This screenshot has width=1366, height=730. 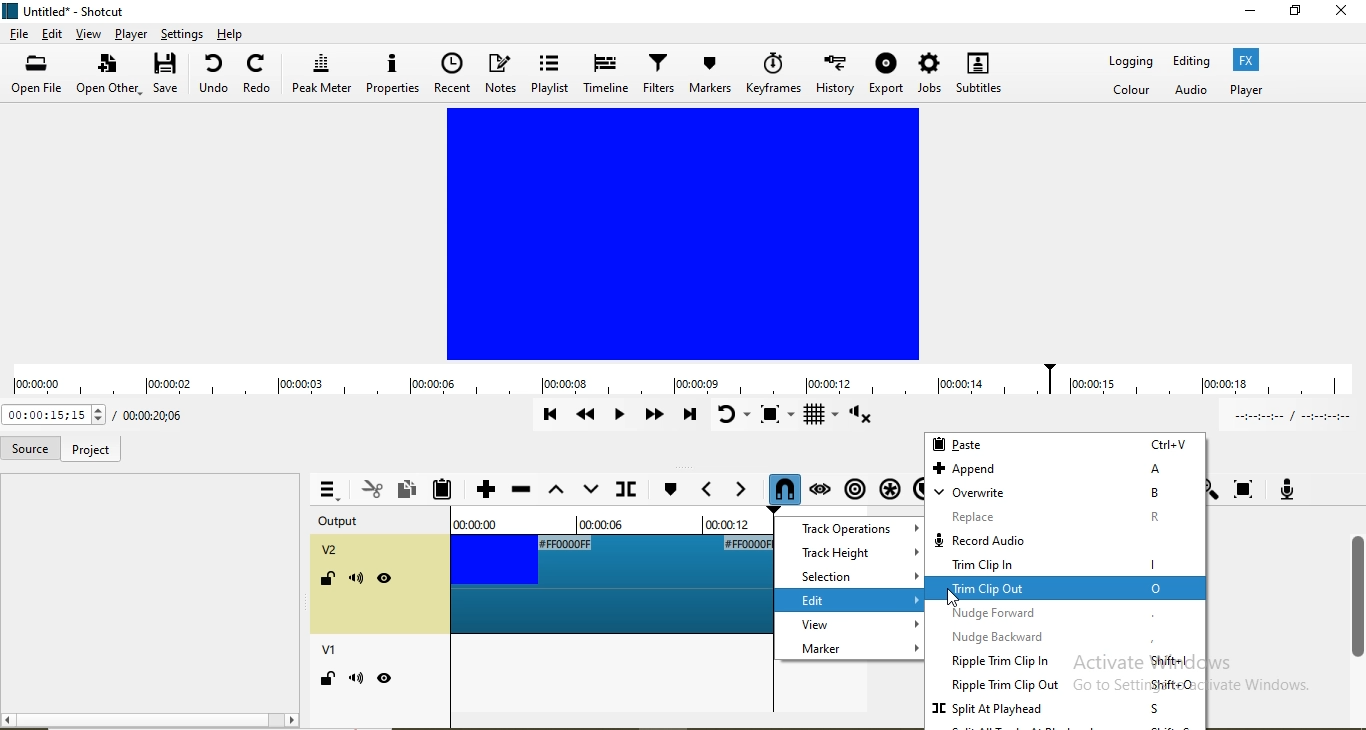 I want to click on Show volume control, so click(x=864, y=418).